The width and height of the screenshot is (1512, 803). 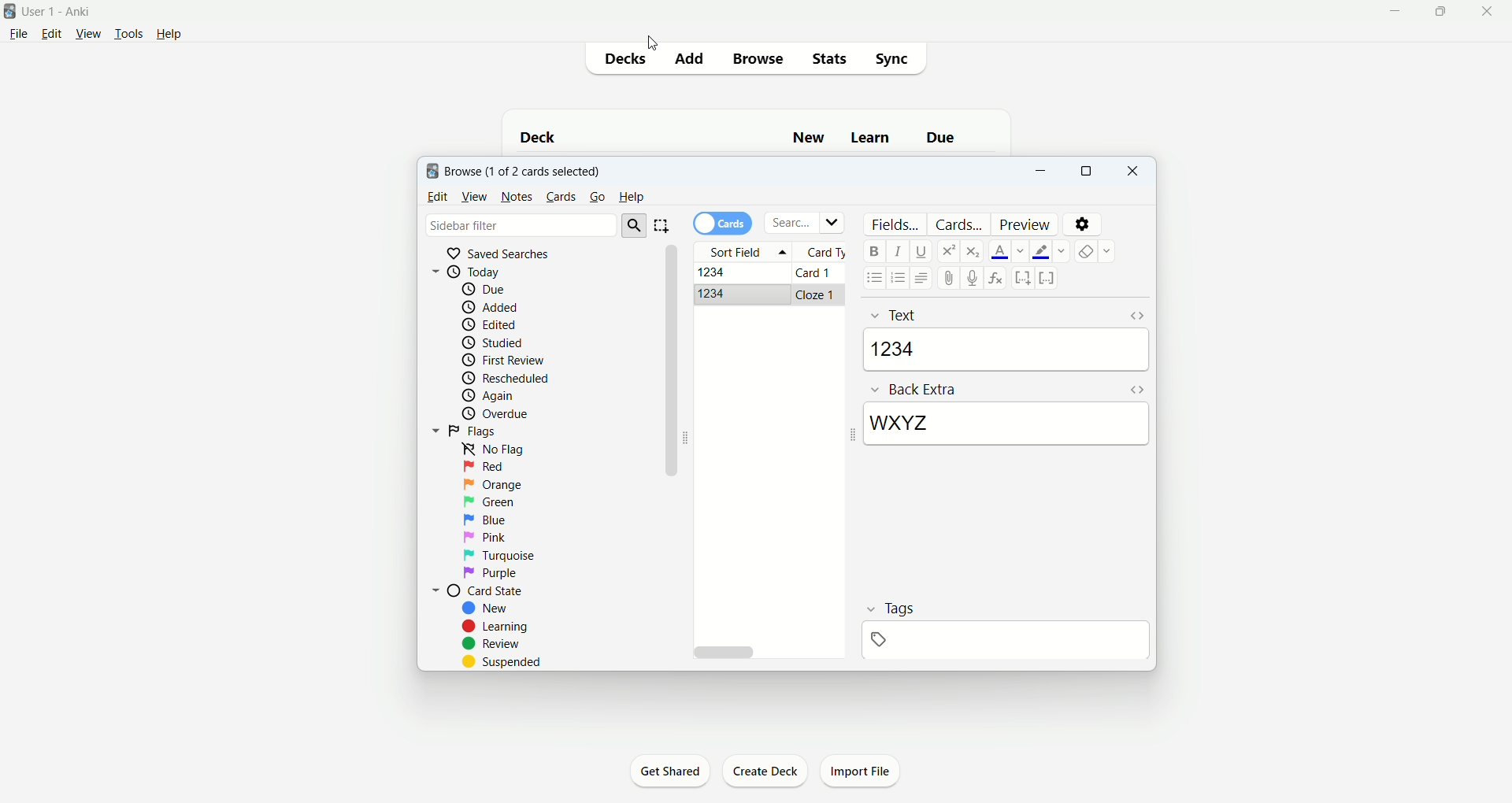 I want to click on deck, so click(x=542, y=139).